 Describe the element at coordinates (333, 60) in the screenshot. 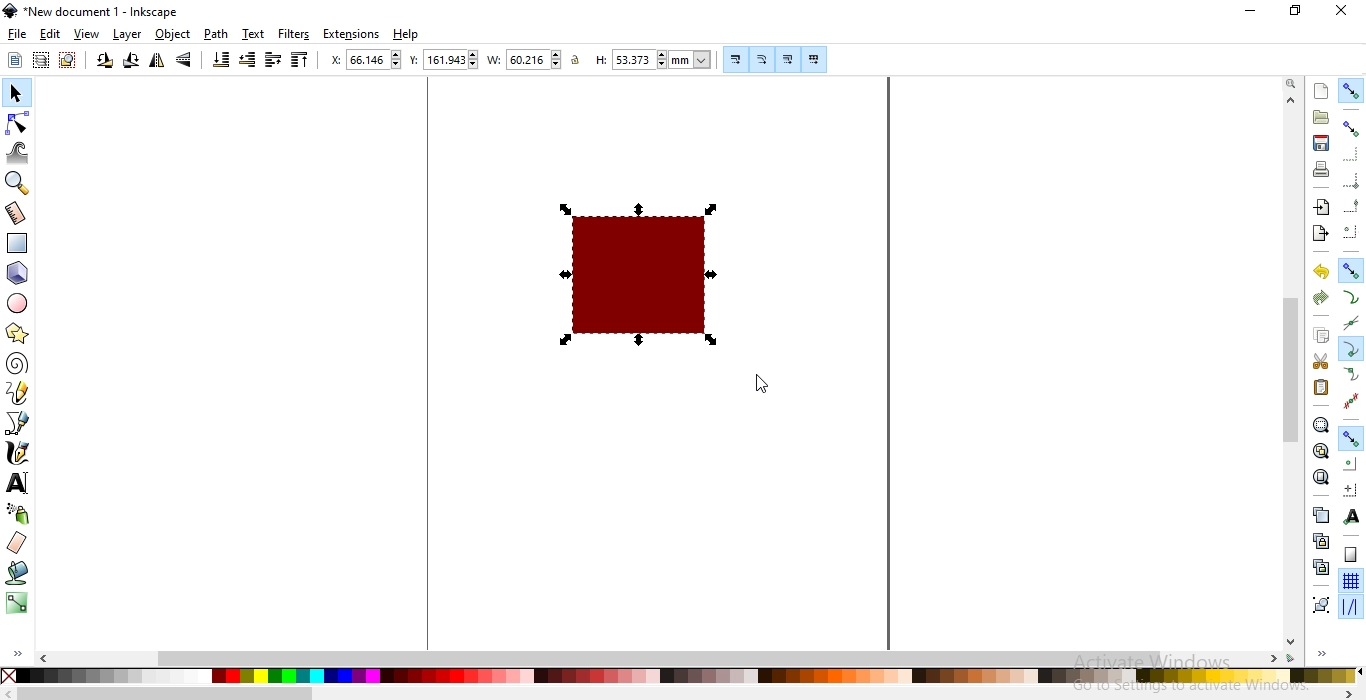

I see `horizontal coordinate of selection` at that location.